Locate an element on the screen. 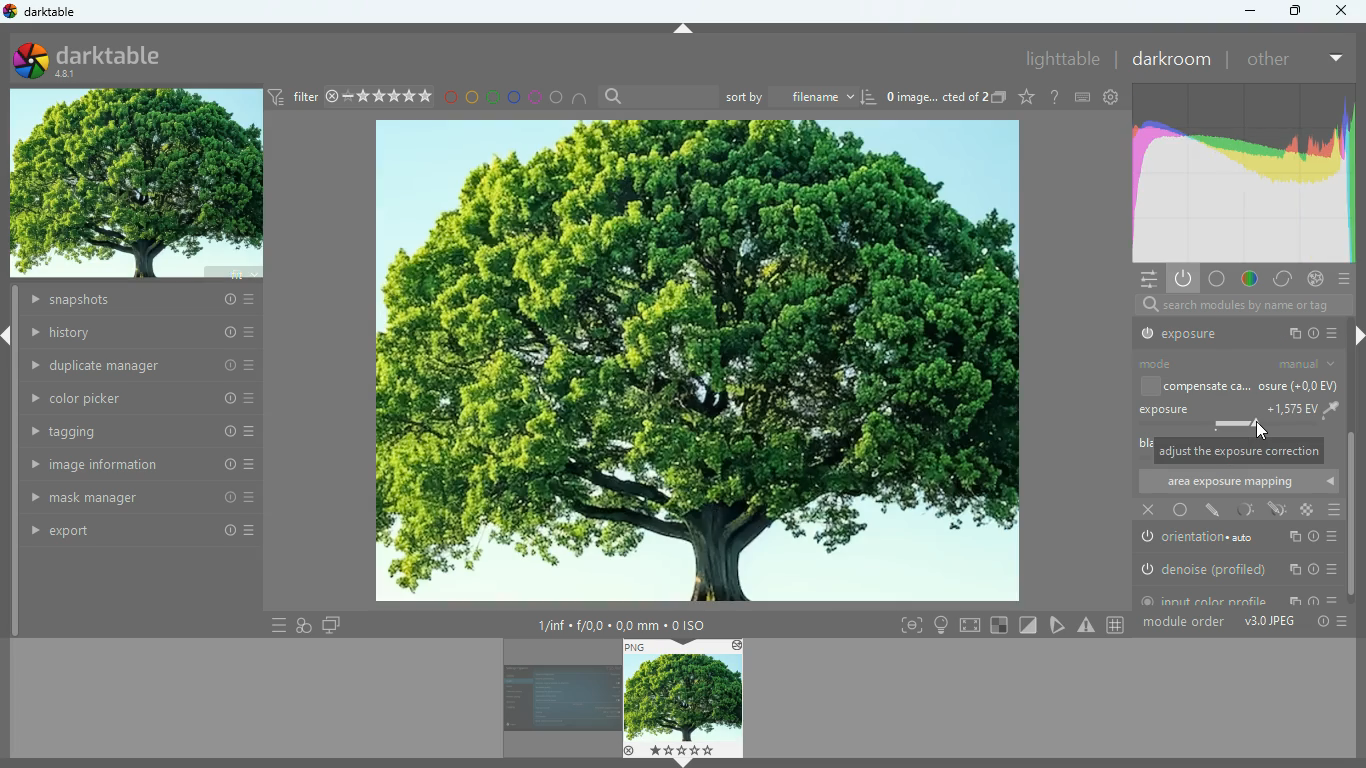 This screenshot has width=1366, height=768. input color profile is located at coordinates (1241, 602).